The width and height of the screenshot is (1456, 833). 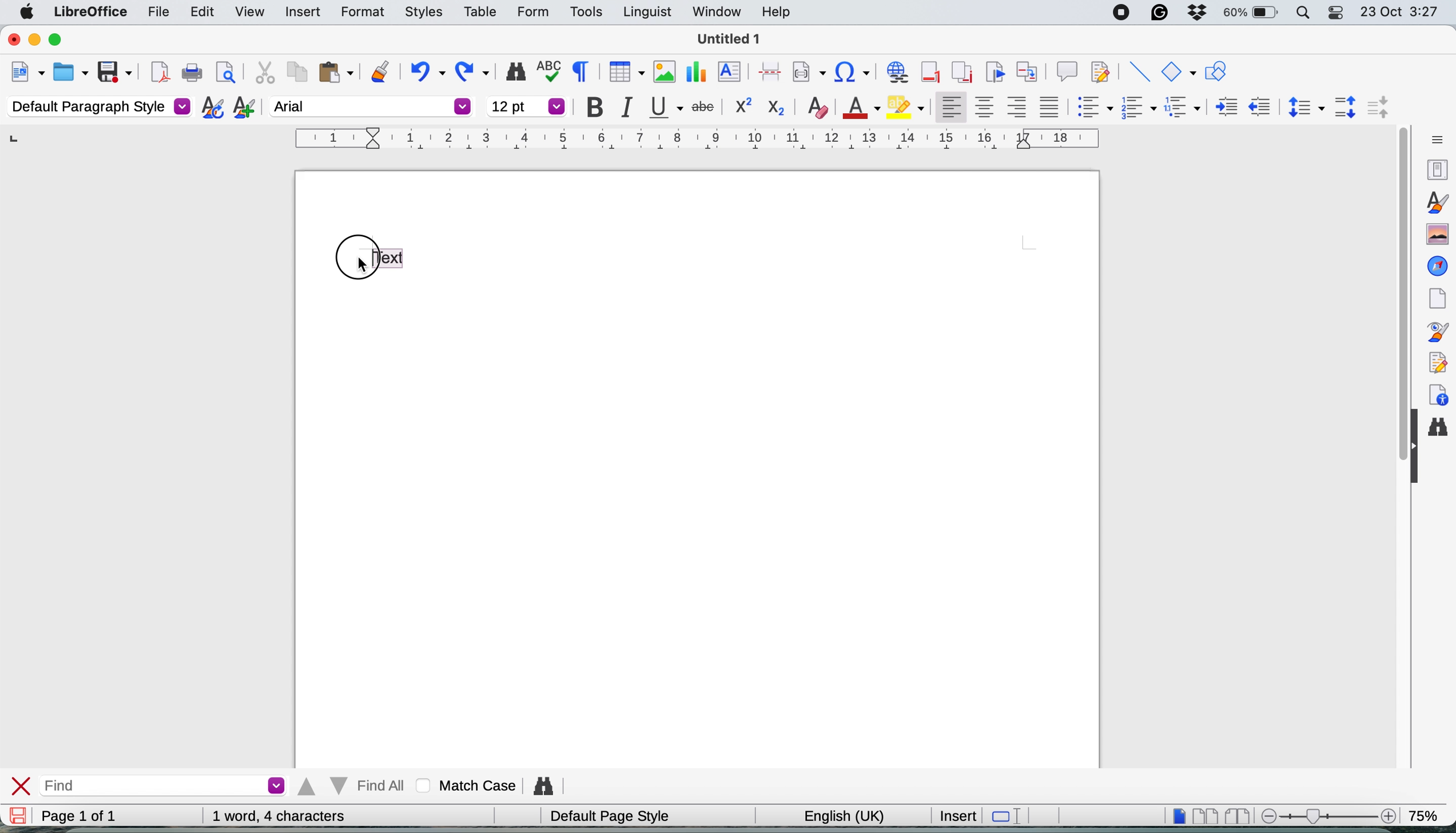 What do you see at coordinates (1204, 815) in the screenshot?
I see `multi page view` at bounding box center [1204, 815].